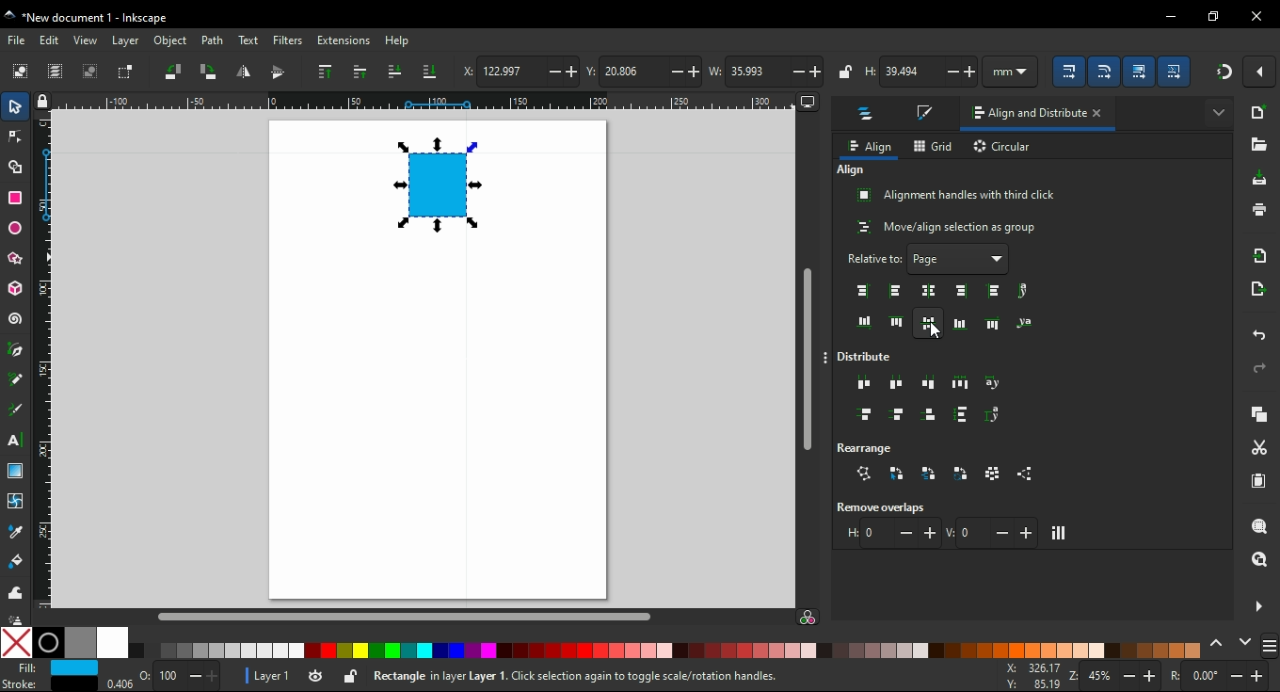 The width and height of the screenshot is (1280, 692). Describe the element at coordinates (80, 643) in the screenshot. I see `50% grey` at that location.